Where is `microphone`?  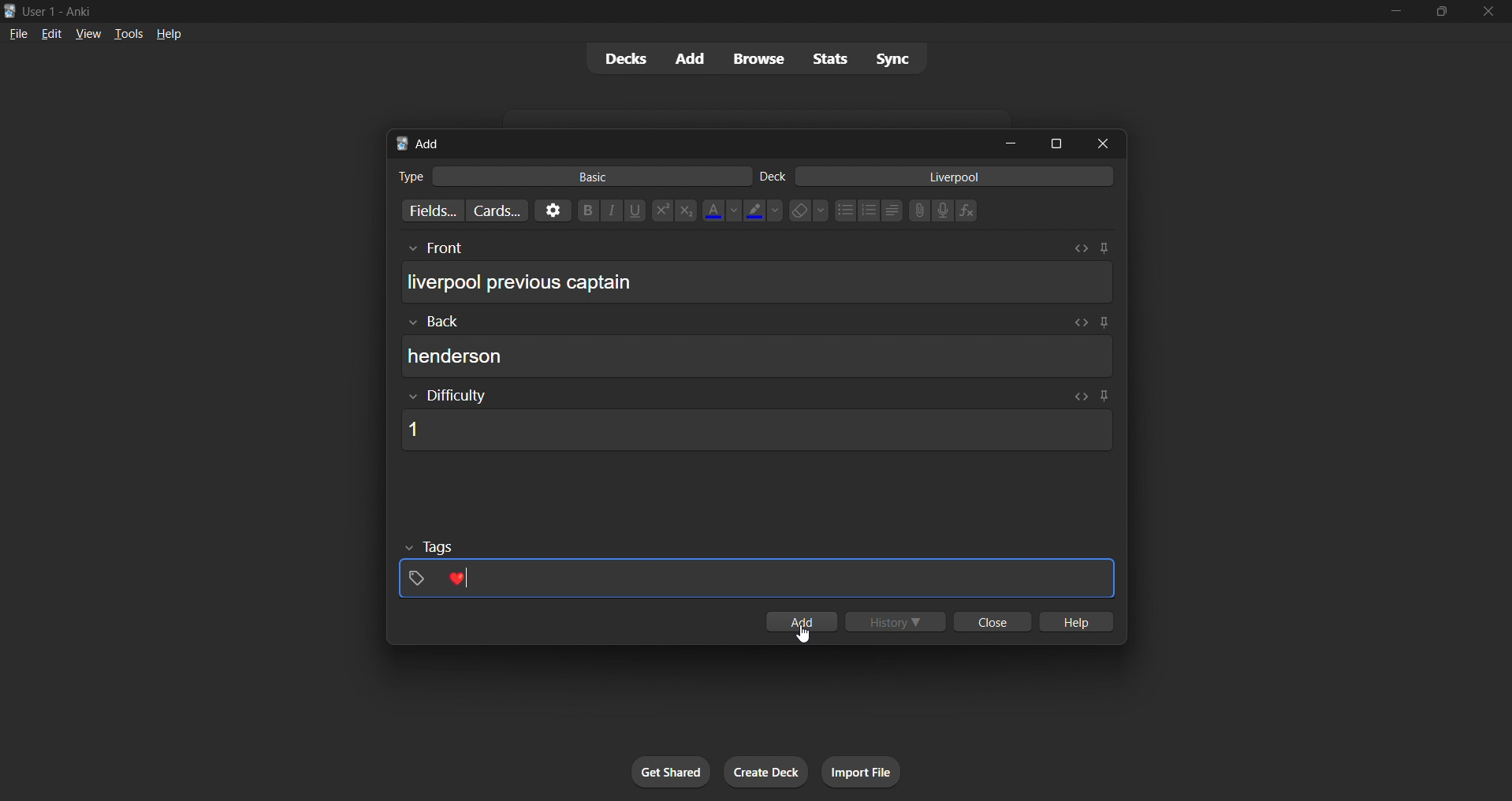 microphone is located at coordinates (944, 211).